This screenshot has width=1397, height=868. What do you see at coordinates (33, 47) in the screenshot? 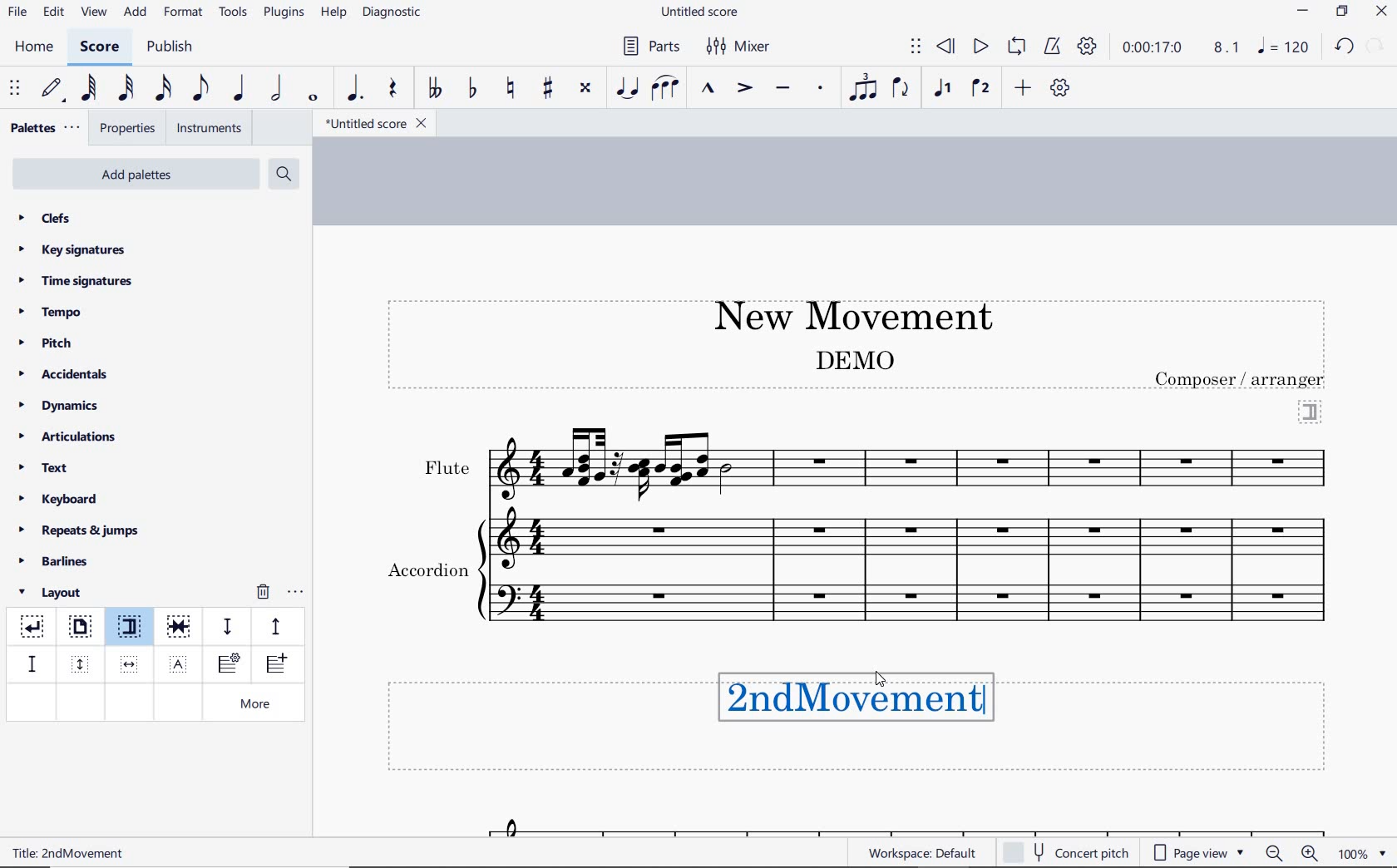
I see `home` at bounding box center [33, 47].